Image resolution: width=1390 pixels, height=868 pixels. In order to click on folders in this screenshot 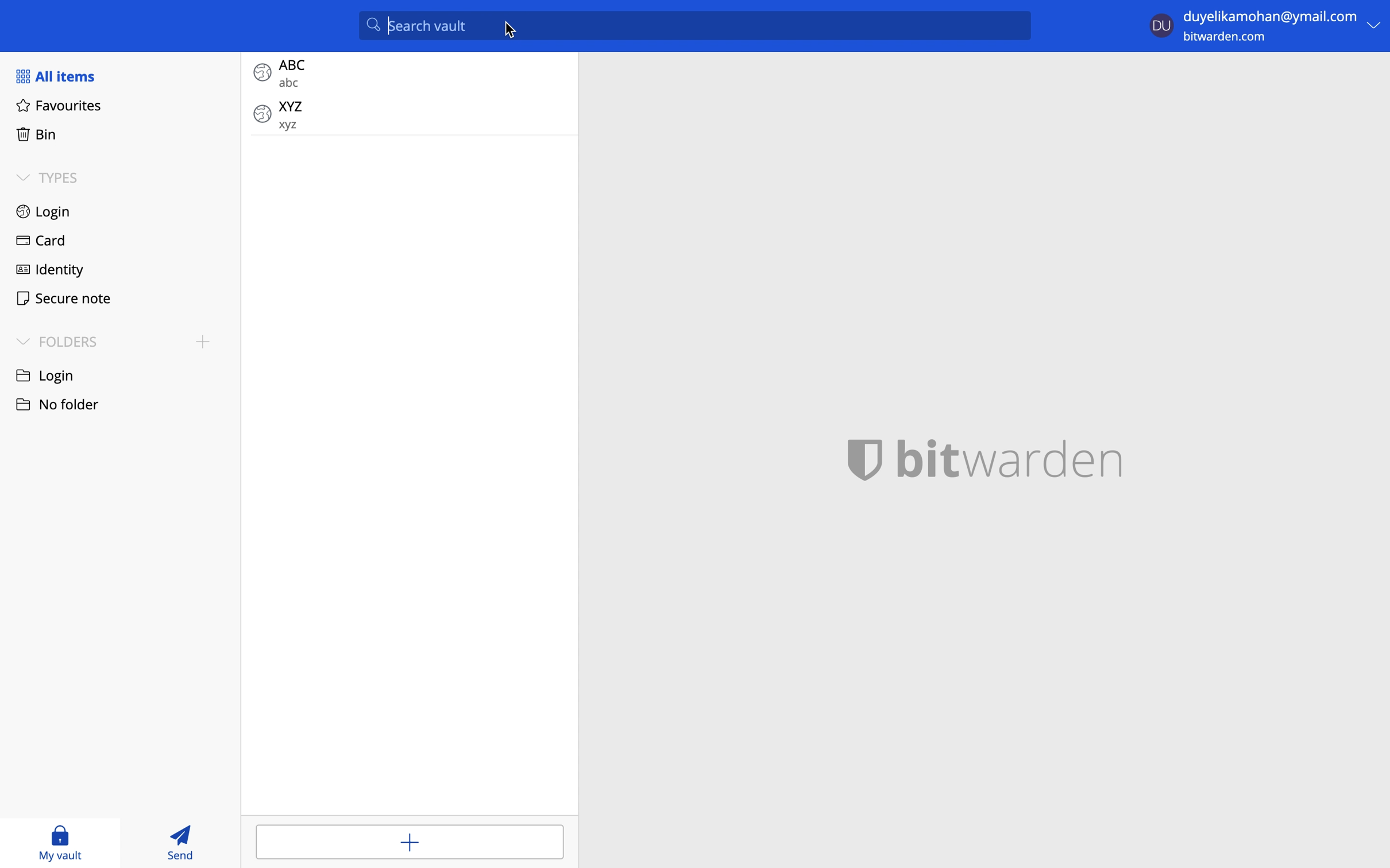, I will do `click(58, 341)`.